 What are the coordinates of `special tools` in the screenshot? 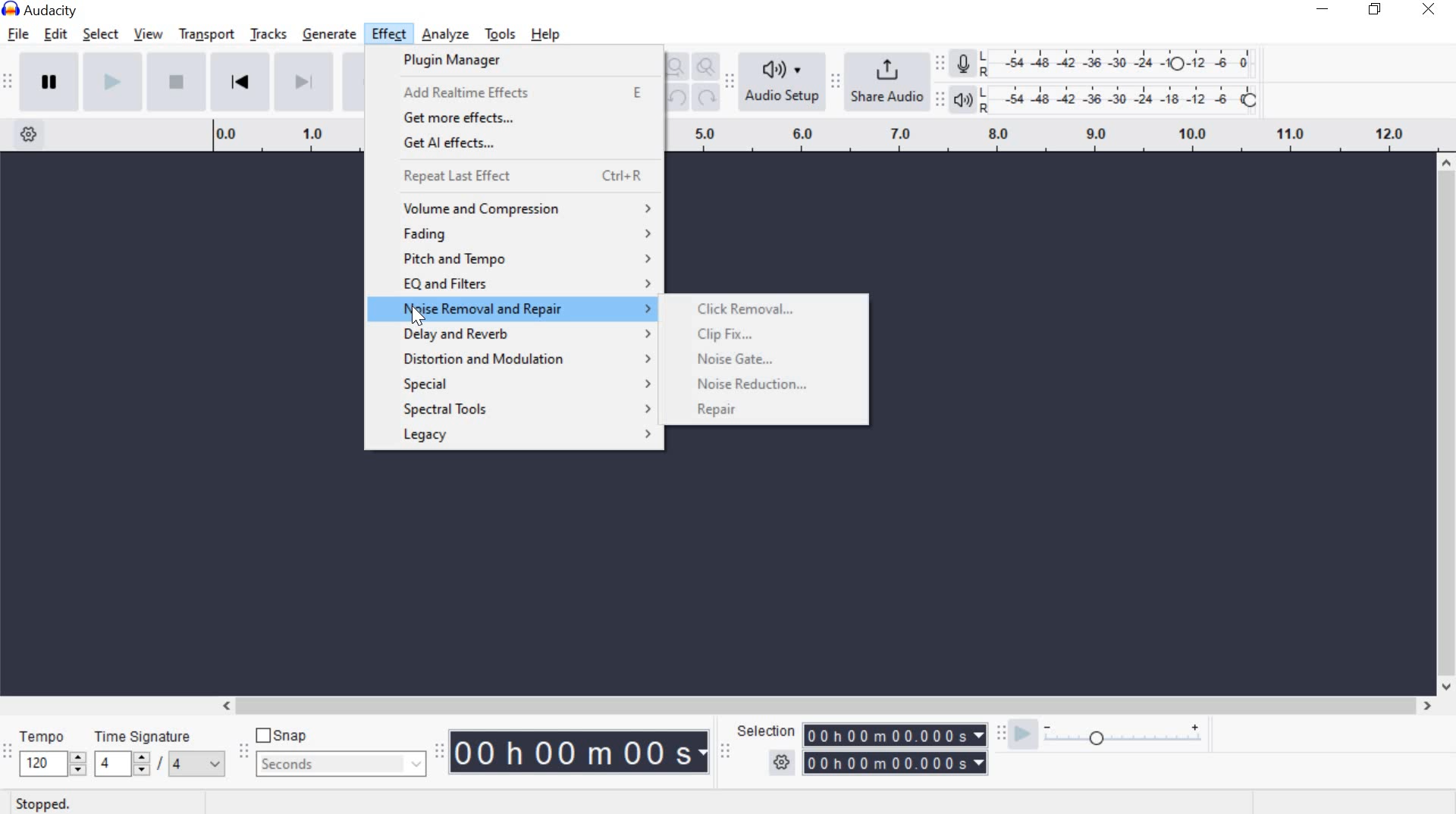 It's located at (527, 410).